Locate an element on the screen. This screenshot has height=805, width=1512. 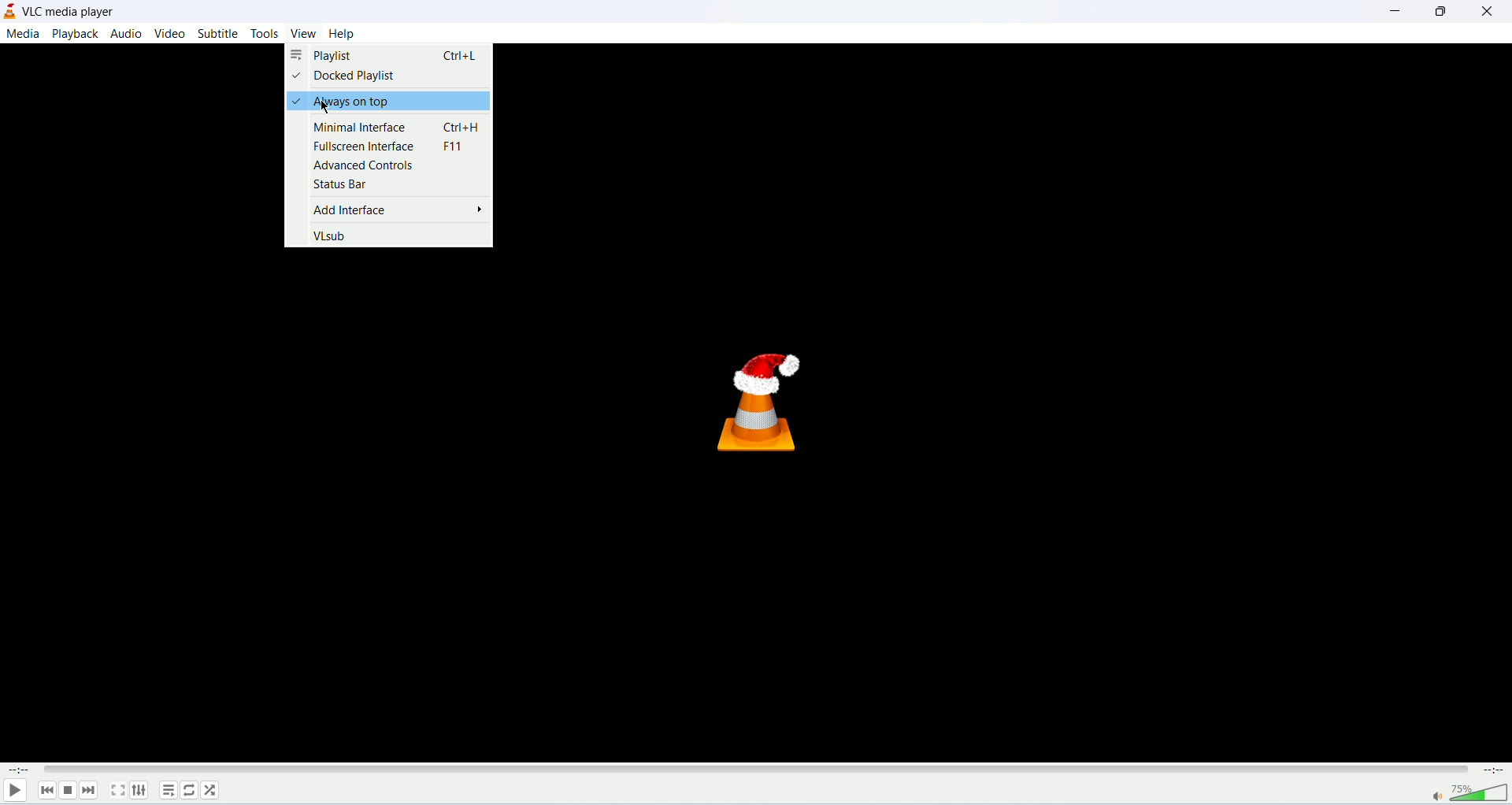
add interfaces is located at coordinates (400, 210).